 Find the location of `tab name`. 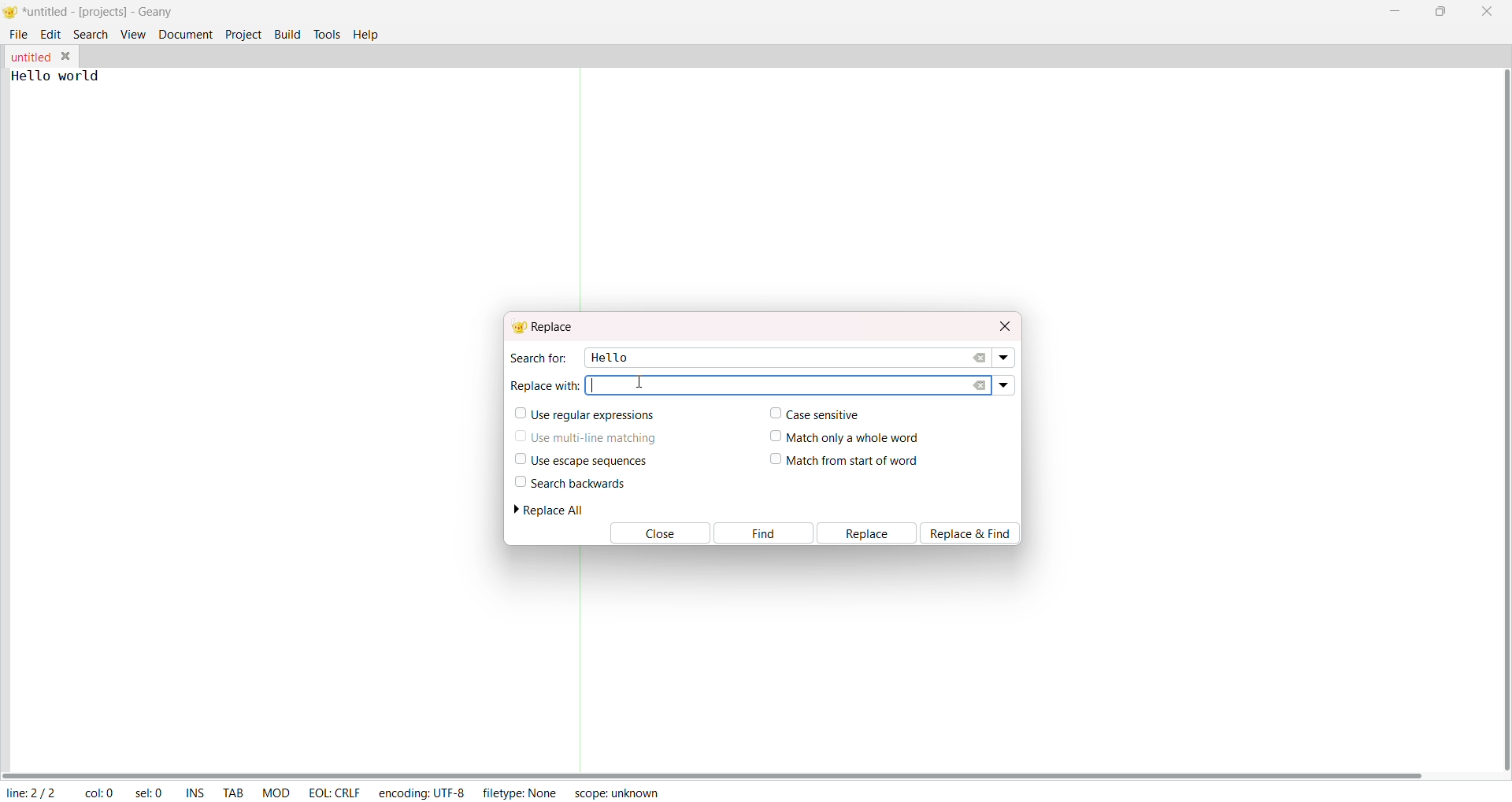

tab name is located at coordinates (30, 57).